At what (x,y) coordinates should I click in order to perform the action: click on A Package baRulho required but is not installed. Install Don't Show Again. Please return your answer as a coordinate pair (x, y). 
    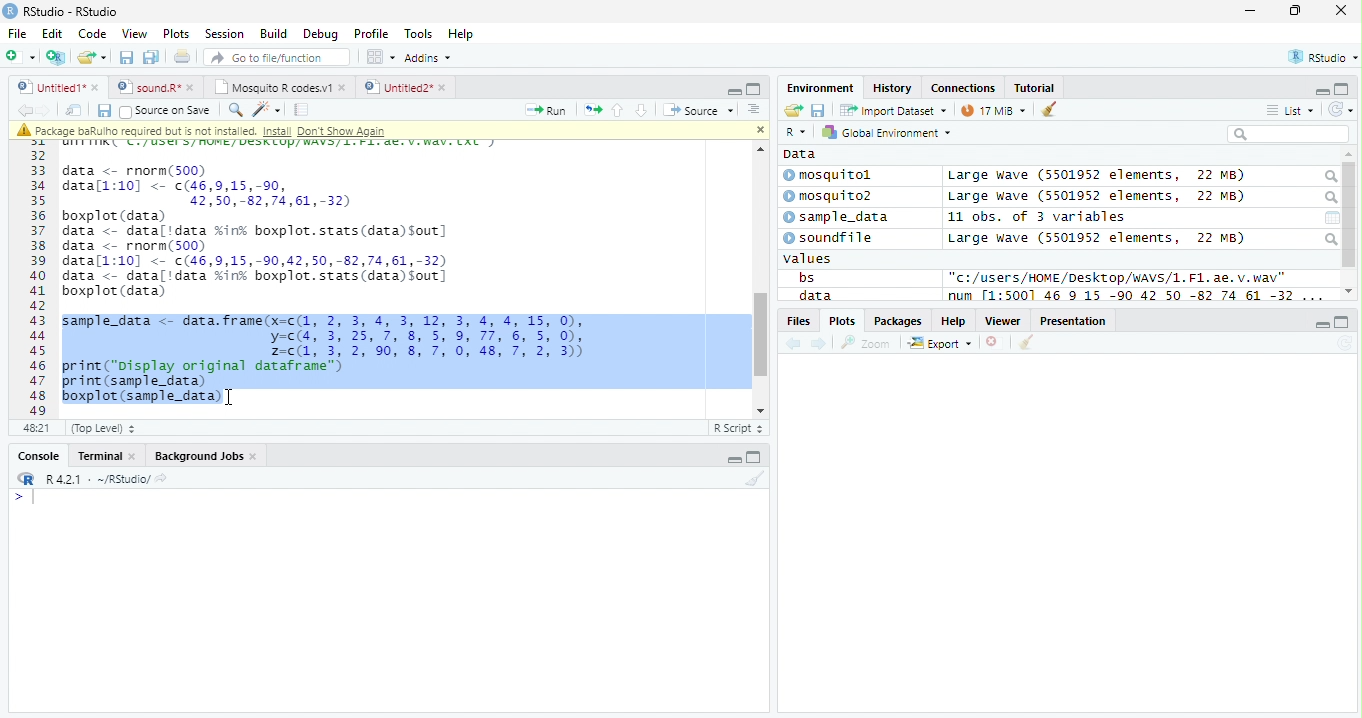
    Looking at the image, I should click on (242, 130).